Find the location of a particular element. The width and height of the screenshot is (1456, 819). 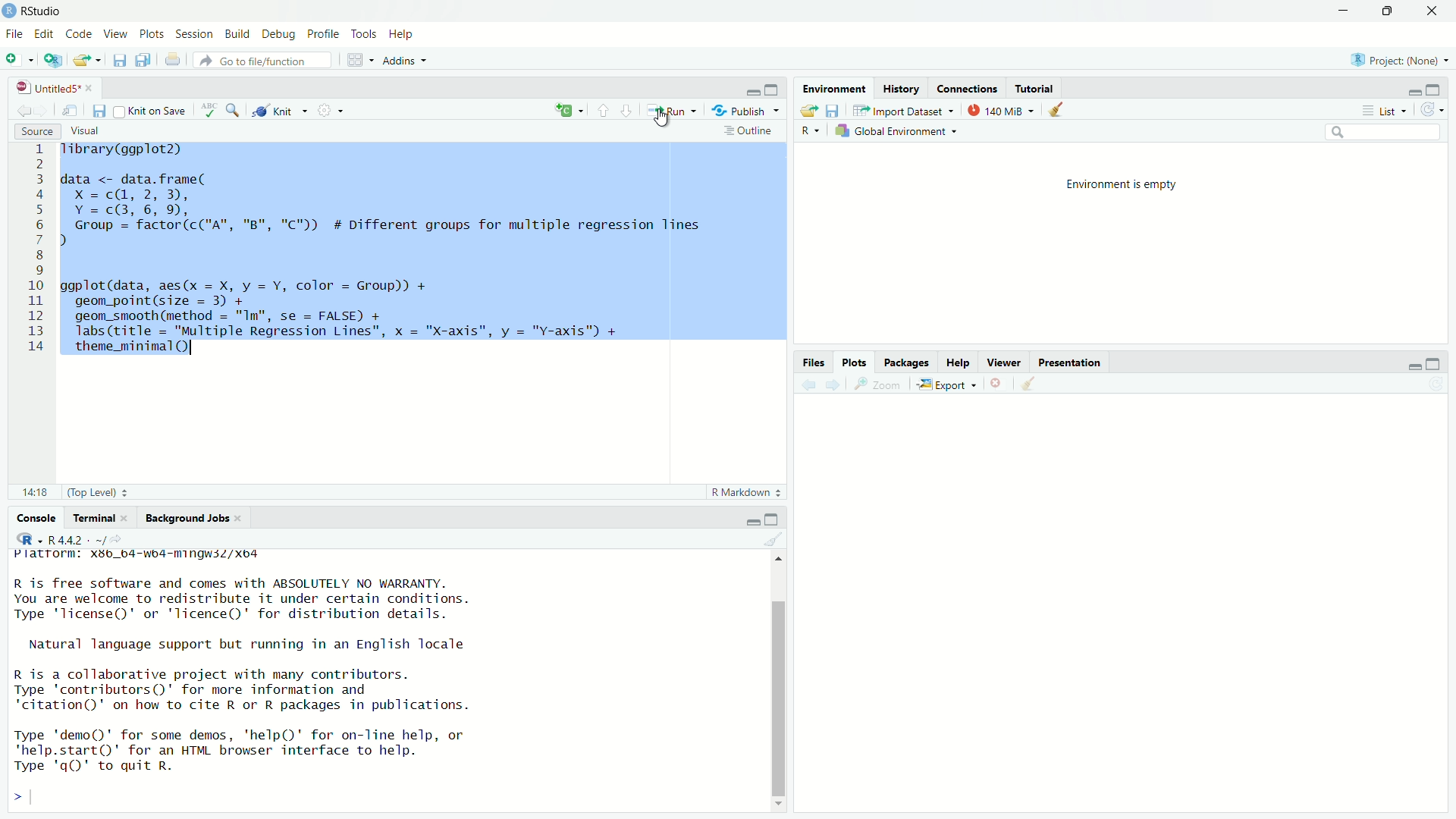

search is located at coordinates (1392, 131).